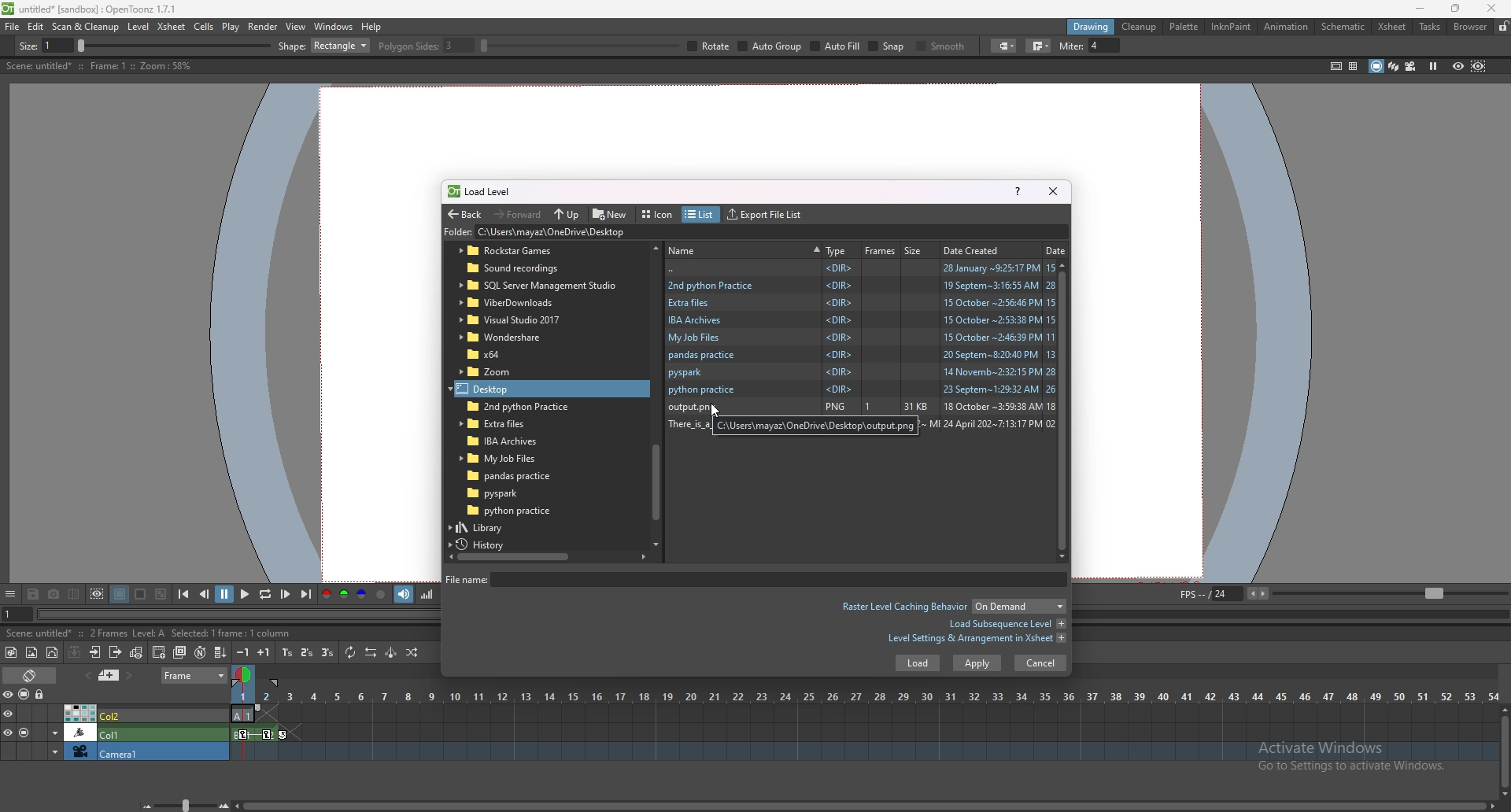  Describe the element at coordinates (917, 249) in the screenshot. I see `size` at that location.